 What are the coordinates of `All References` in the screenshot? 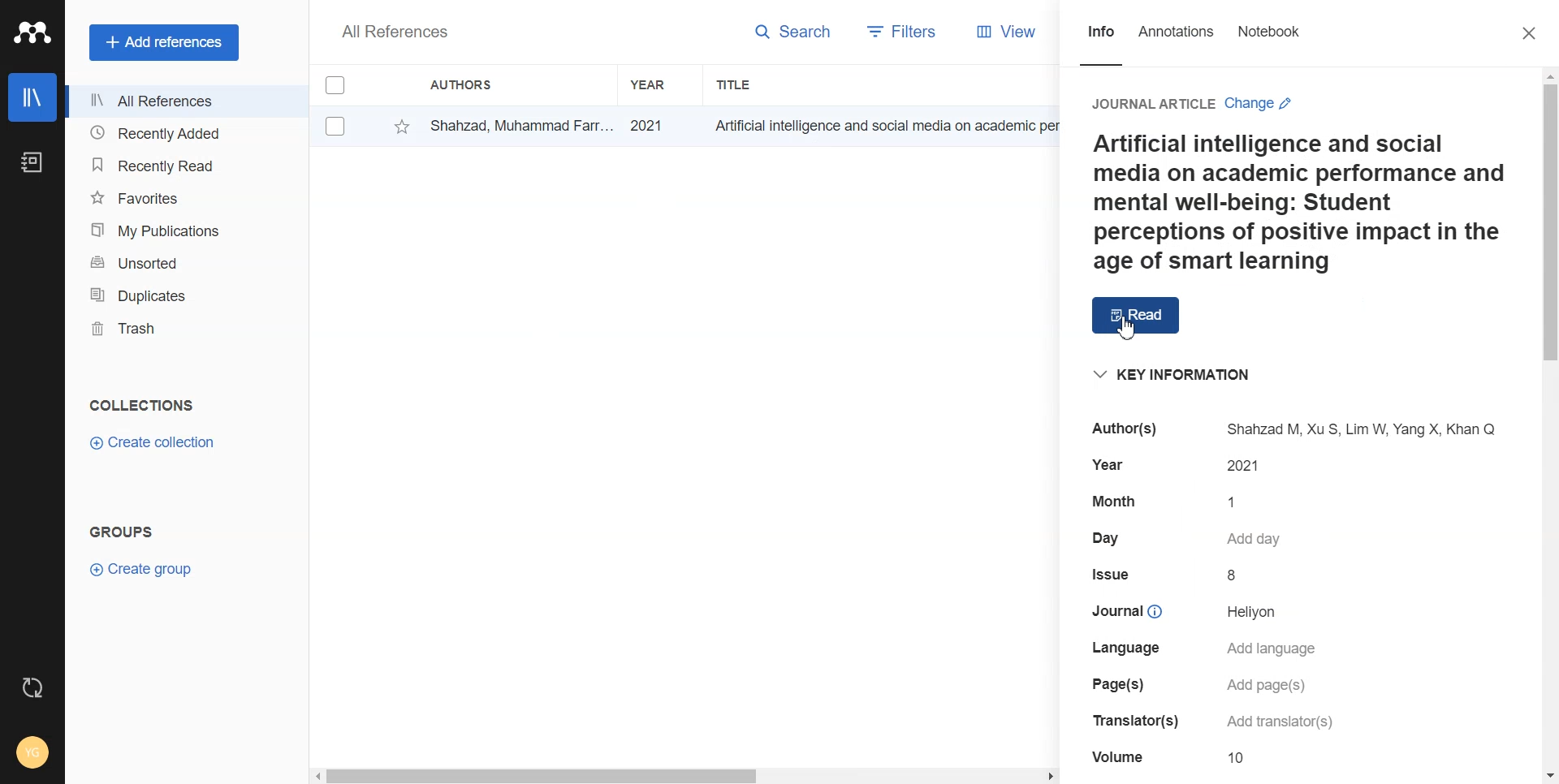 It's located at (184, 101).